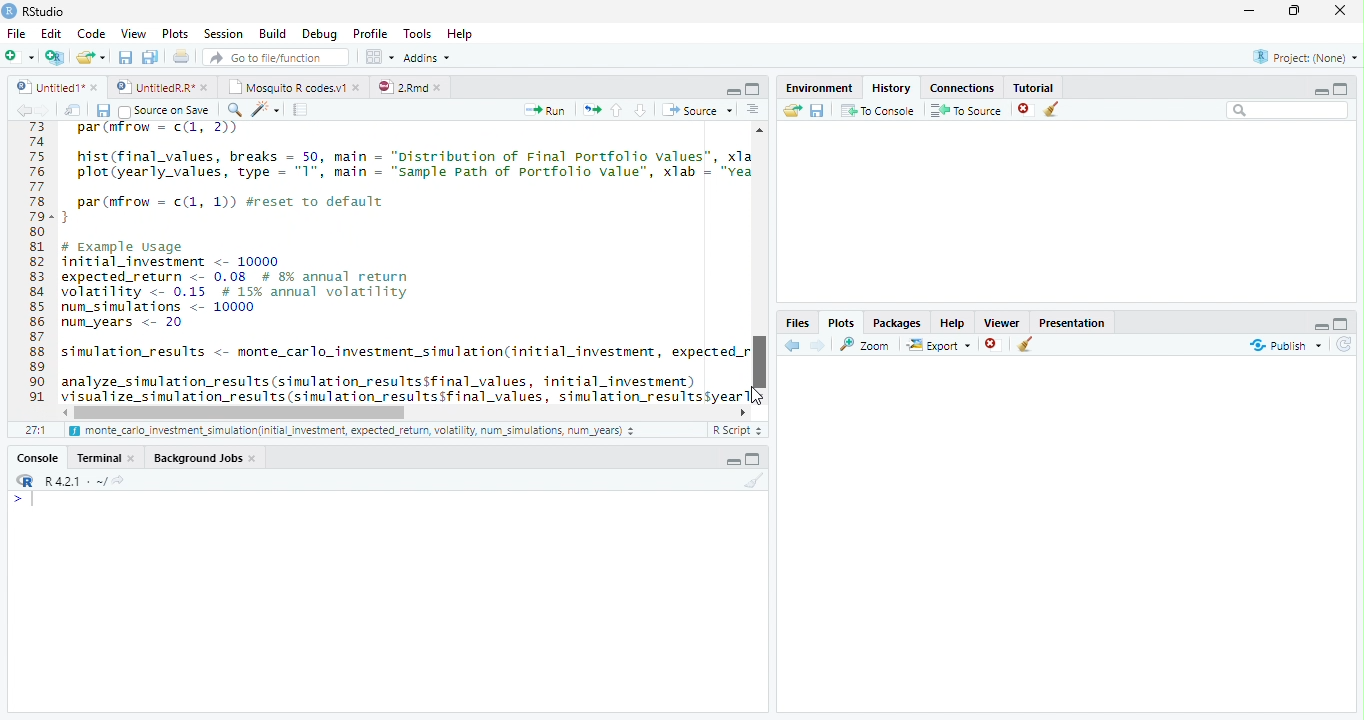 This screenshot has width=1364, height=720. Describe the element at coordinates (402, 264) in the screenshot. I see `Code` at that location.